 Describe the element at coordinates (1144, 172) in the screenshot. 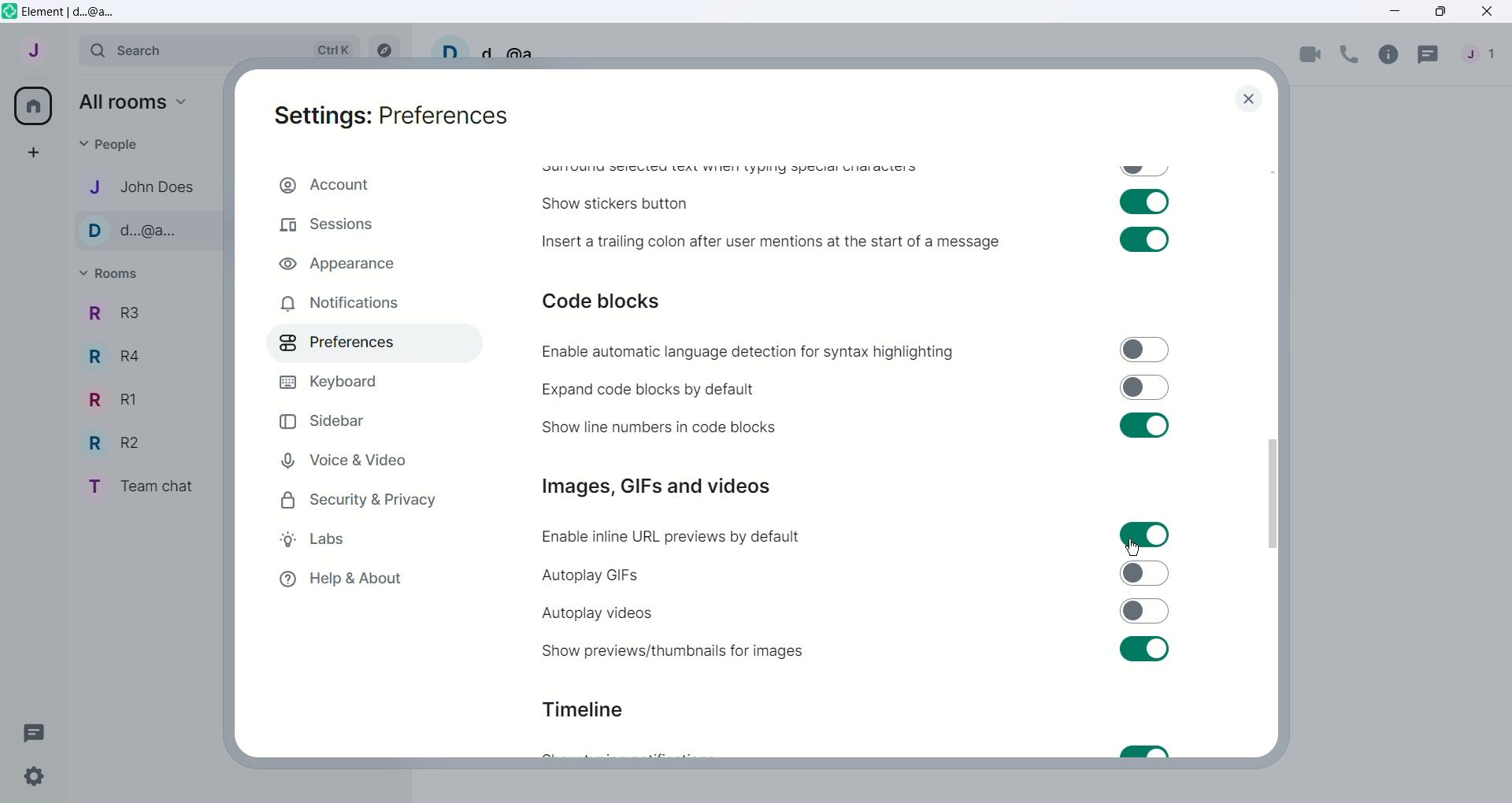

I see `Toggle swtich off` at that location.